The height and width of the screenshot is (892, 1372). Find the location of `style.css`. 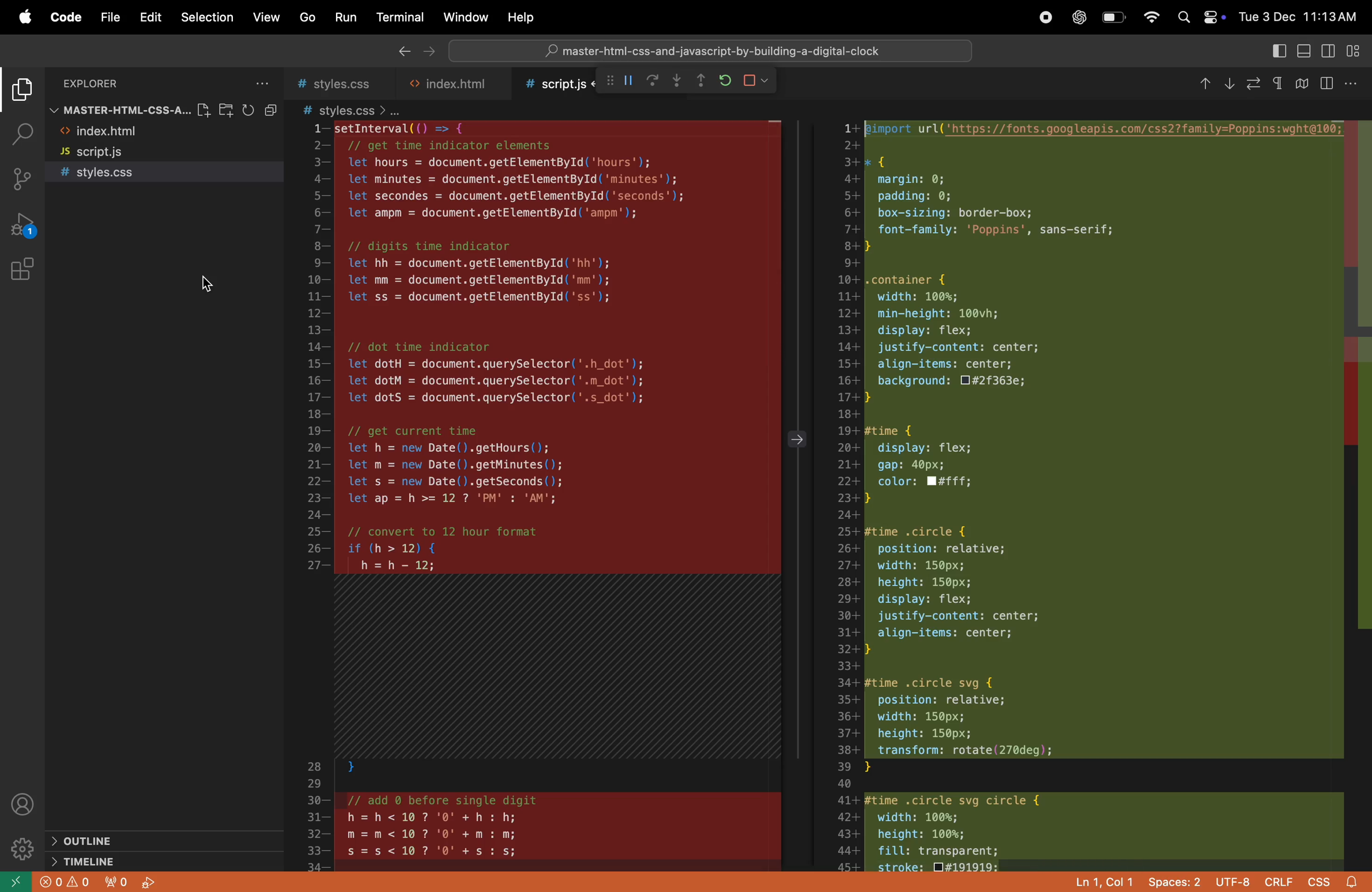

style.css is located at coordinates (342, 84).